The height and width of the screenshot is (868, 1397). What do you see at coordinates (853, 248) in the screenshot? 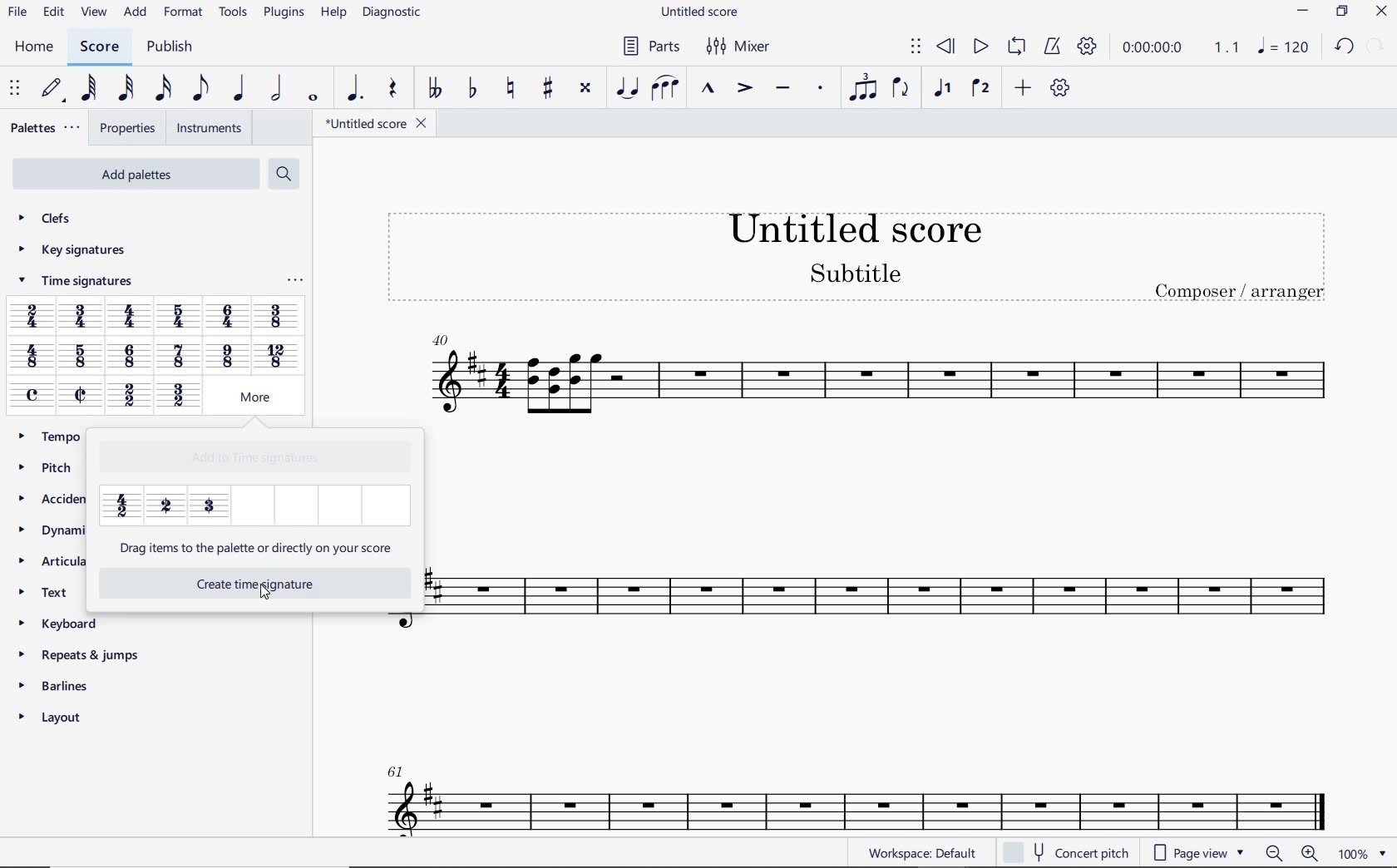
I see `TITLE` at bounding box center [853, 248].